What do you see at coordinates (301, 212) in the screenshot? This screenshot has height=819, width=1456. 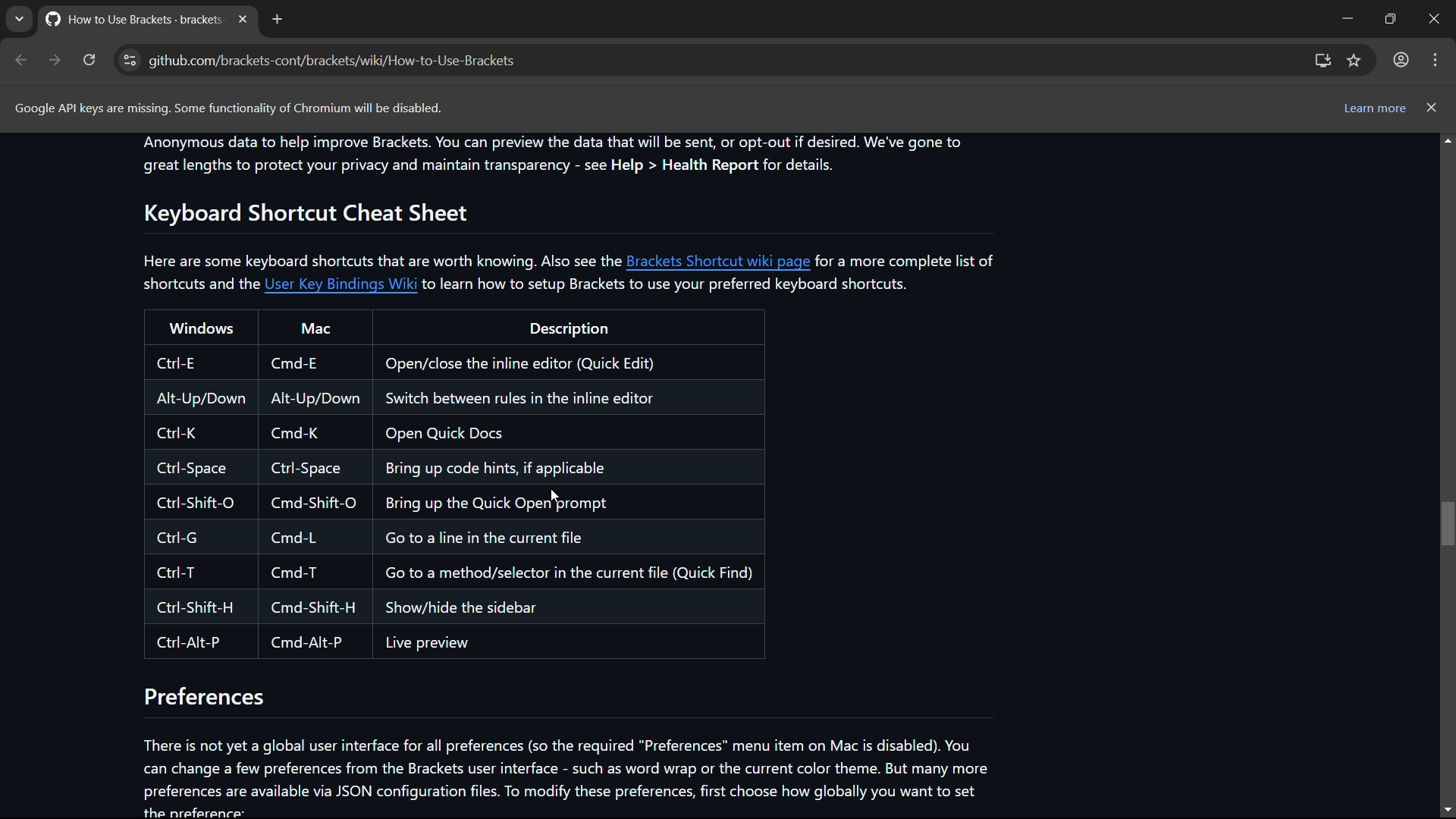 I see `keyboard shortcut cheat sheet` at bounding box center [301, 212].